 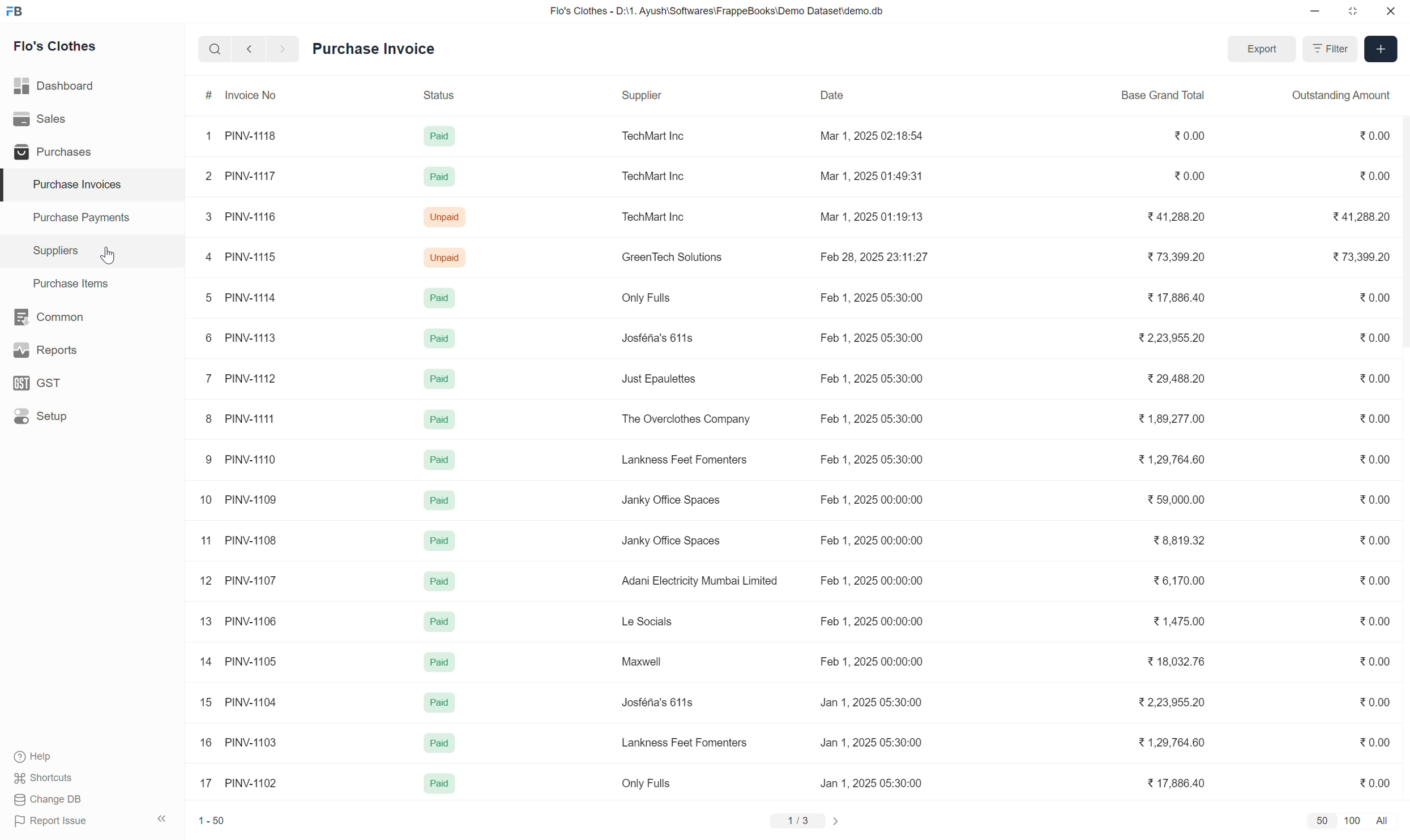 I want to click on TechMart Inc, so click(x=653, y=215).